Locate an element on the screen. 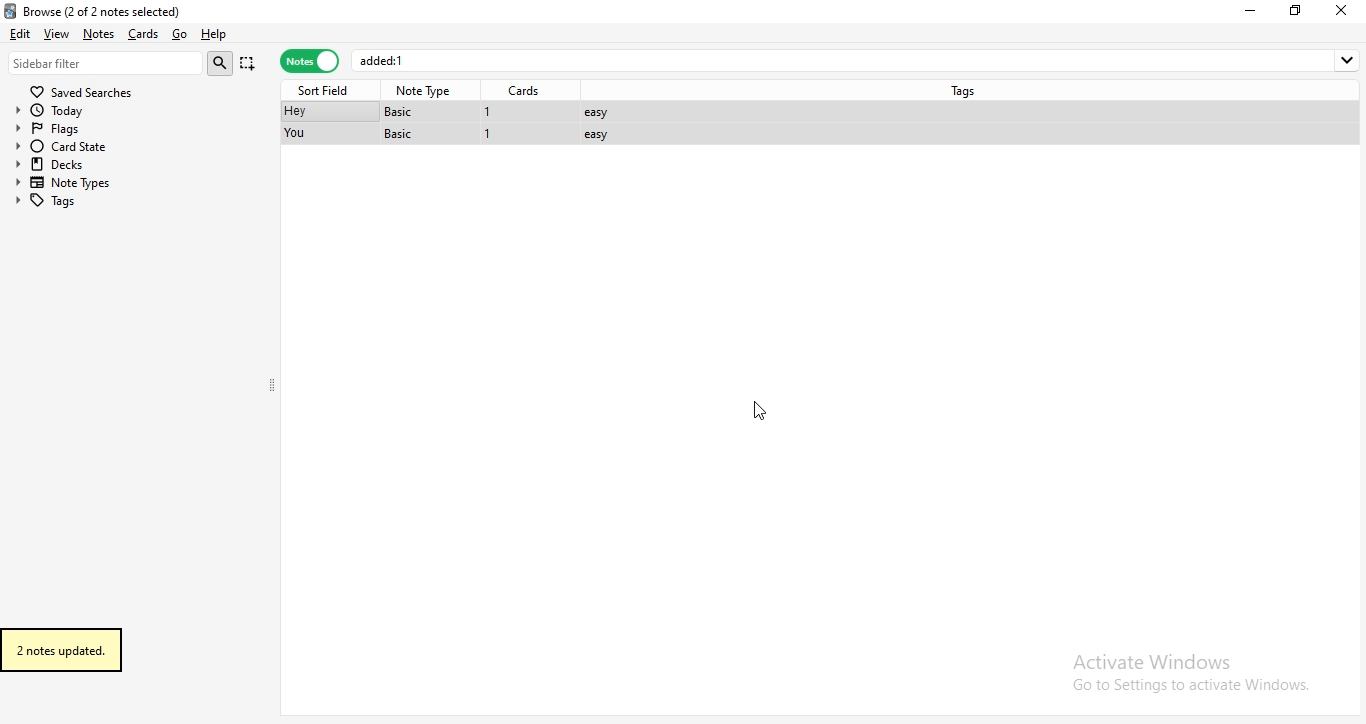  view is located at coordinates (58, 33).